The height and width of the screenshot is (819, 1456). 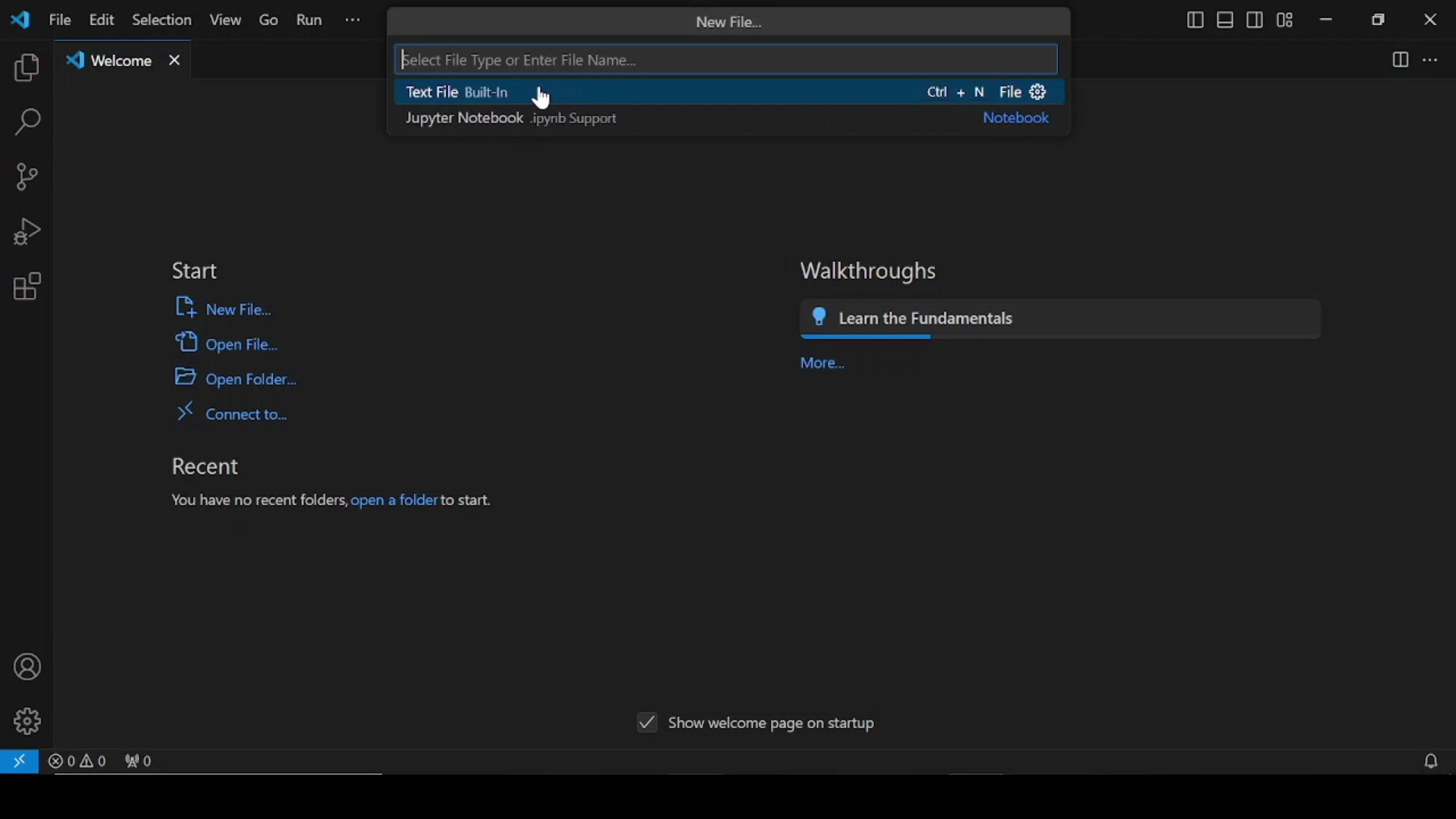 What do you see at coordinates (227, 343) in the screenshot?
I see `open file` at bounding box center [227, 343].